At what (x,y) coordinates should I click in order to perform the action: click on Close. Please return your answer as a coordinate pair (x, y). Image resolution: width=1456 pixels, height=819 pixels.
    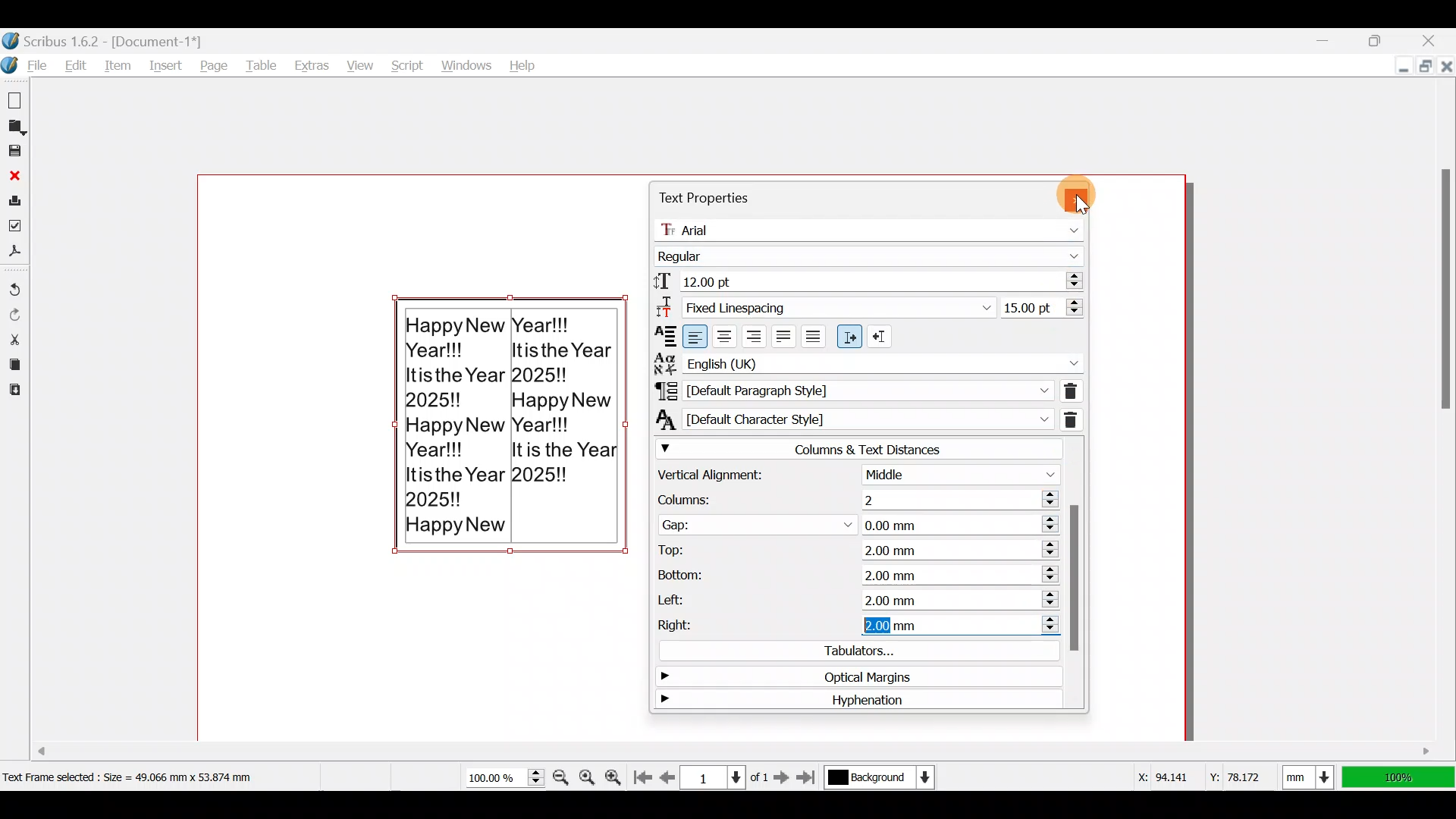
    Looking at the image, I should click on (1437, 37).